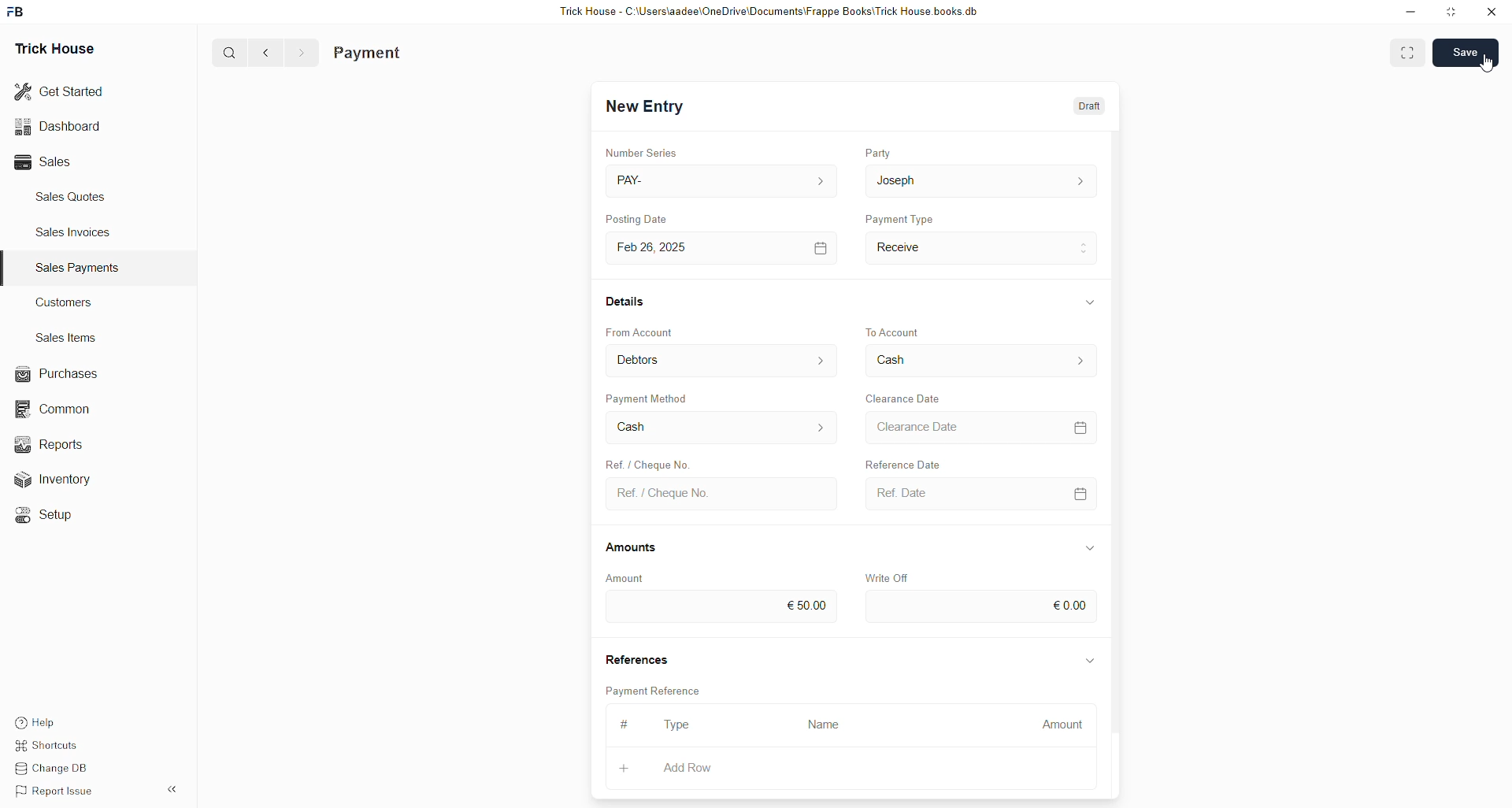 The height and width of the screenshot is (808, 1512). Describe the element at coordinates (625, 724) in the screenshot. I see `#` at that location.